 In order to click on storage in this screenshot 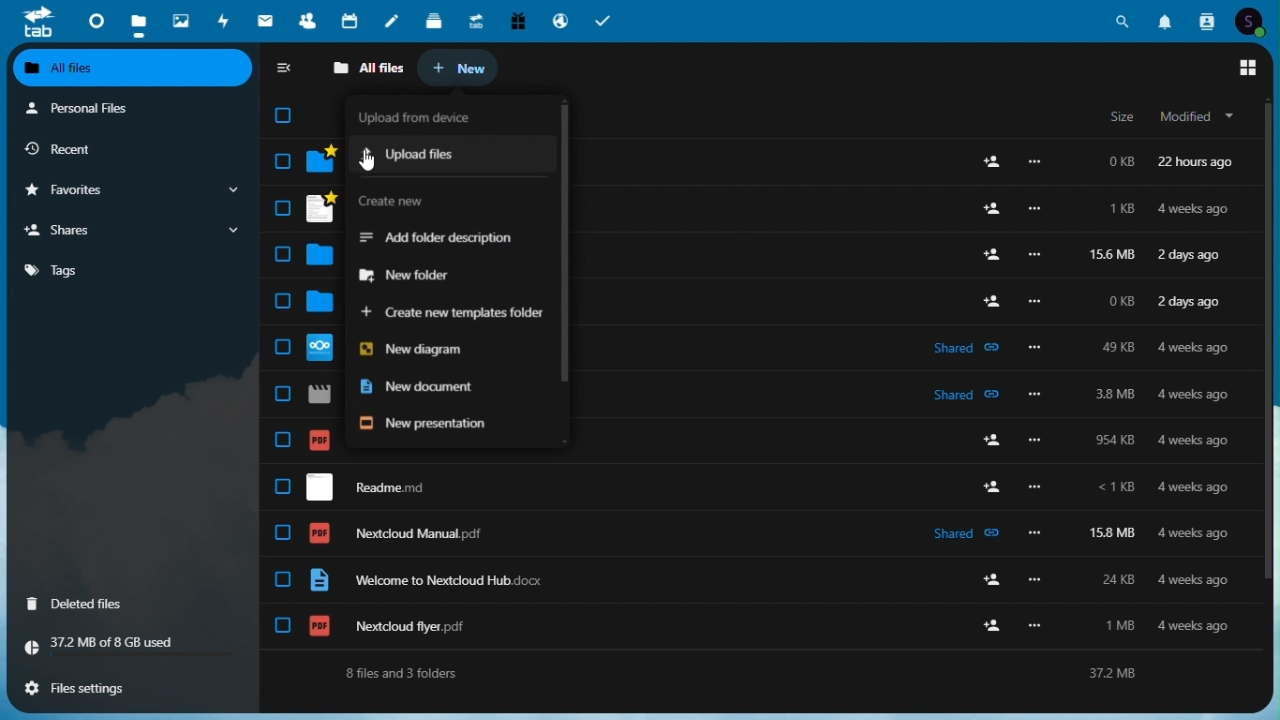, I will do `click(133, 644)`.